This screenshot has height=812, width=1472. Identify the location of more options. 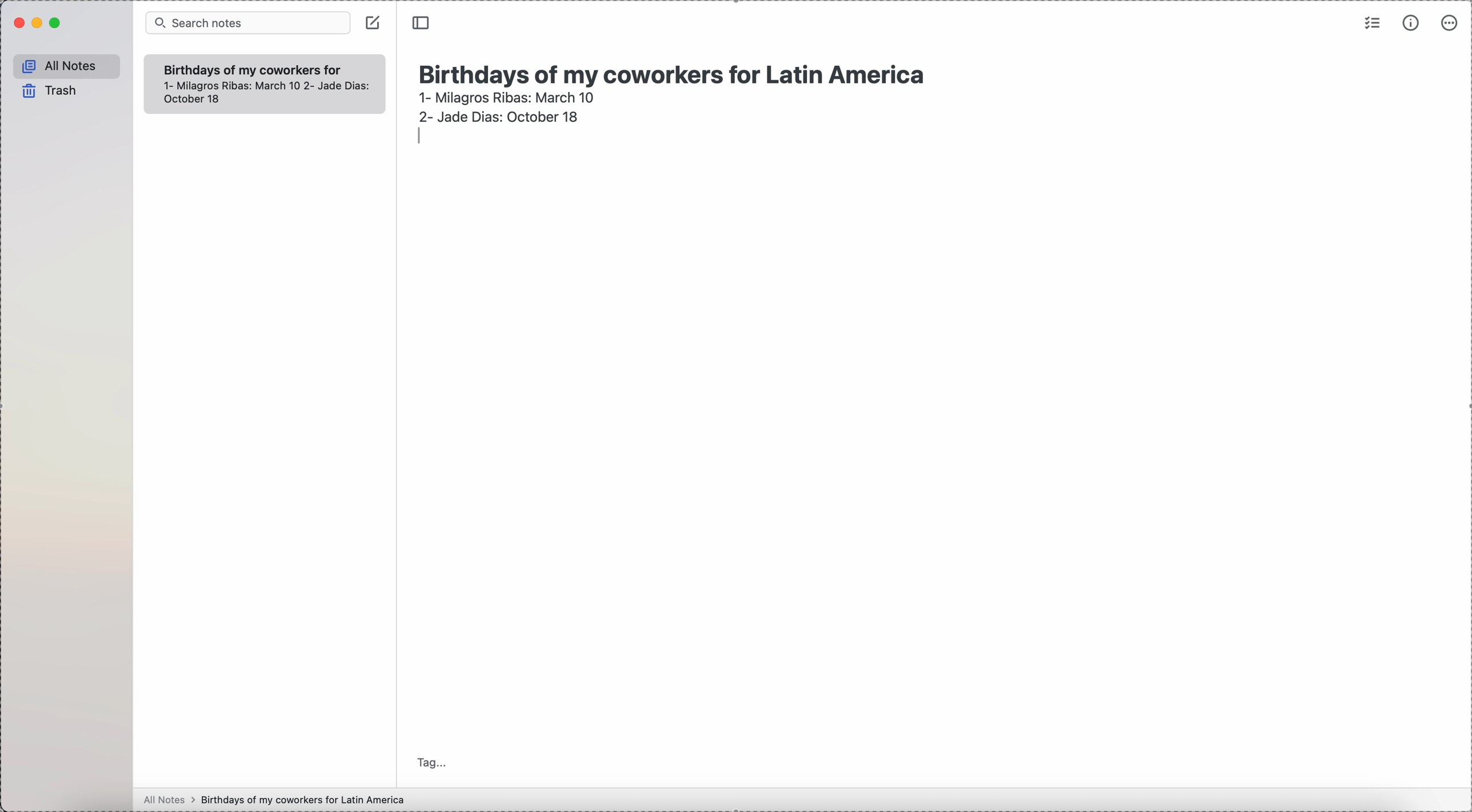
(1451, 22).